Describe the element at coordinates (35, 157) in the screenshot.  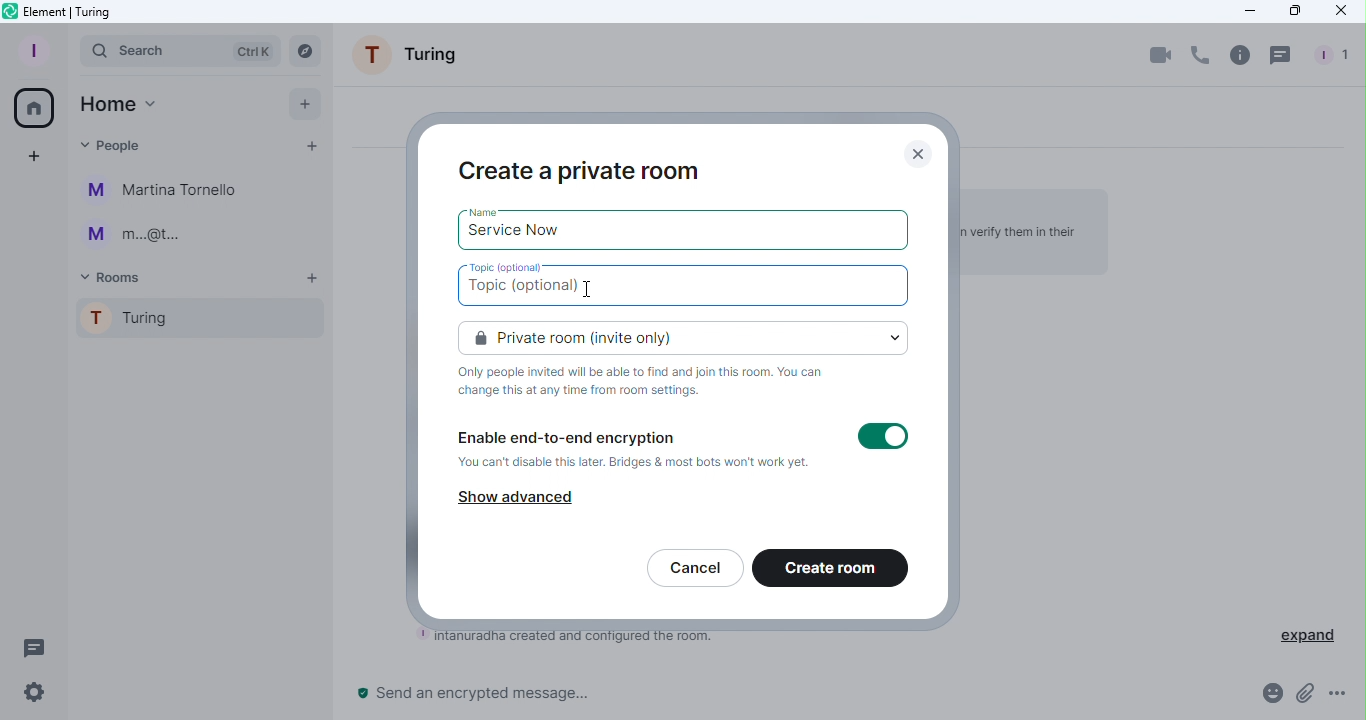
I see `Create a space` at that location.